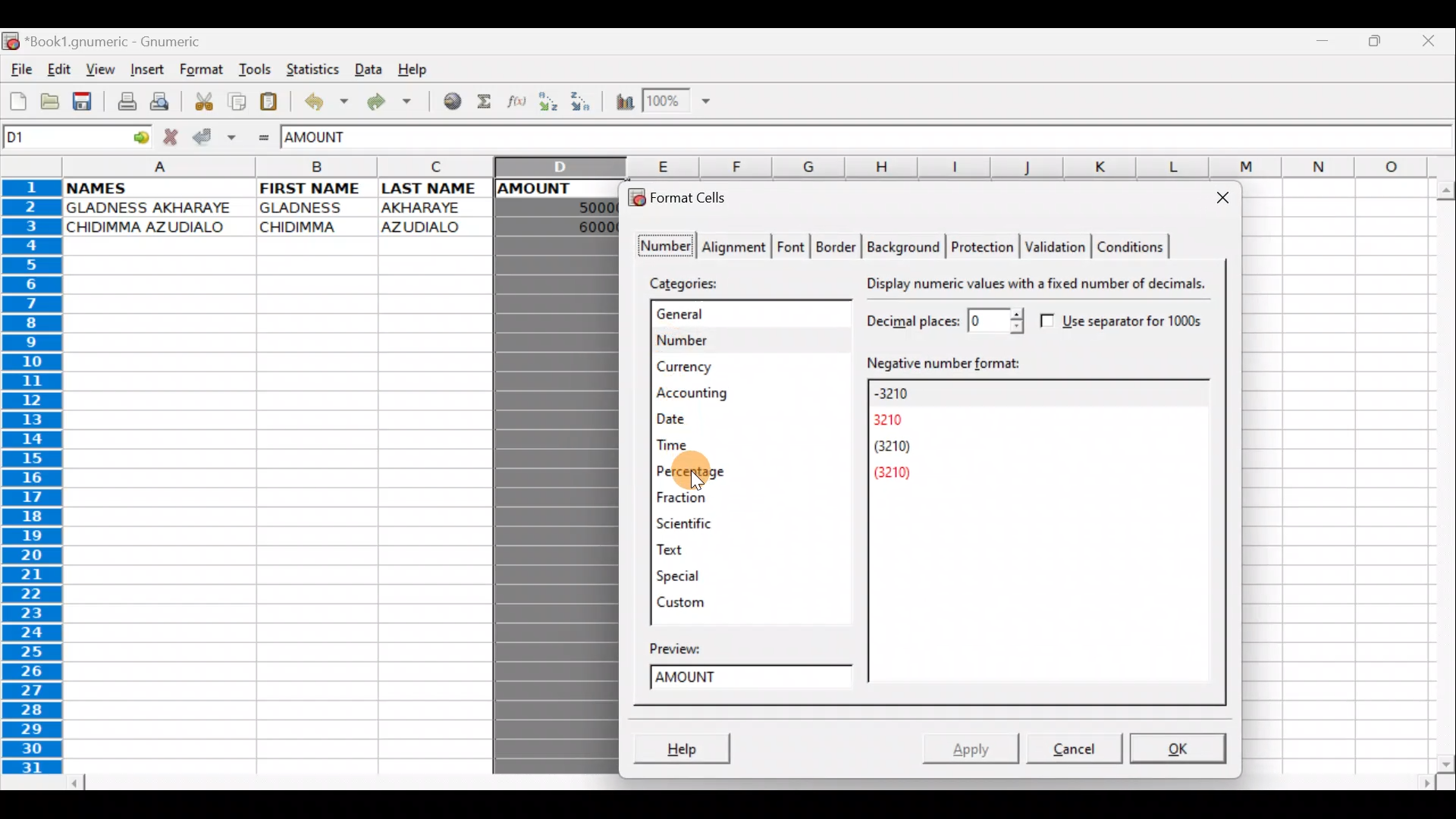 Image resolution: width=1456 pixels, height=819 pixels. Describe the element at coordinates (419, 71) in the screenshot. I see `Help` at that location.